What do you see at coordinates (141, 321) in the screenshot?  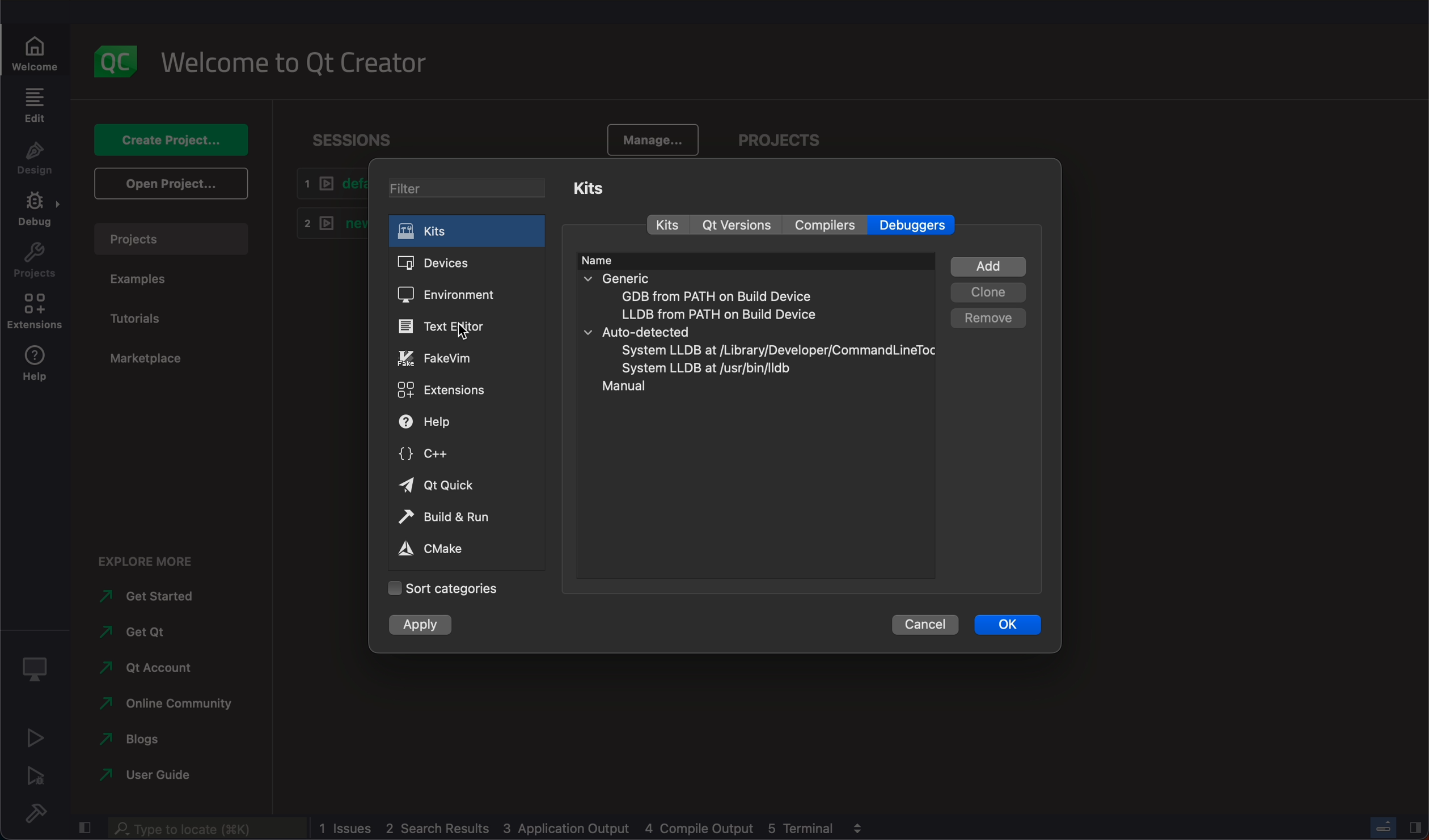 I see `tutorials` at bounding box center [141, 321].